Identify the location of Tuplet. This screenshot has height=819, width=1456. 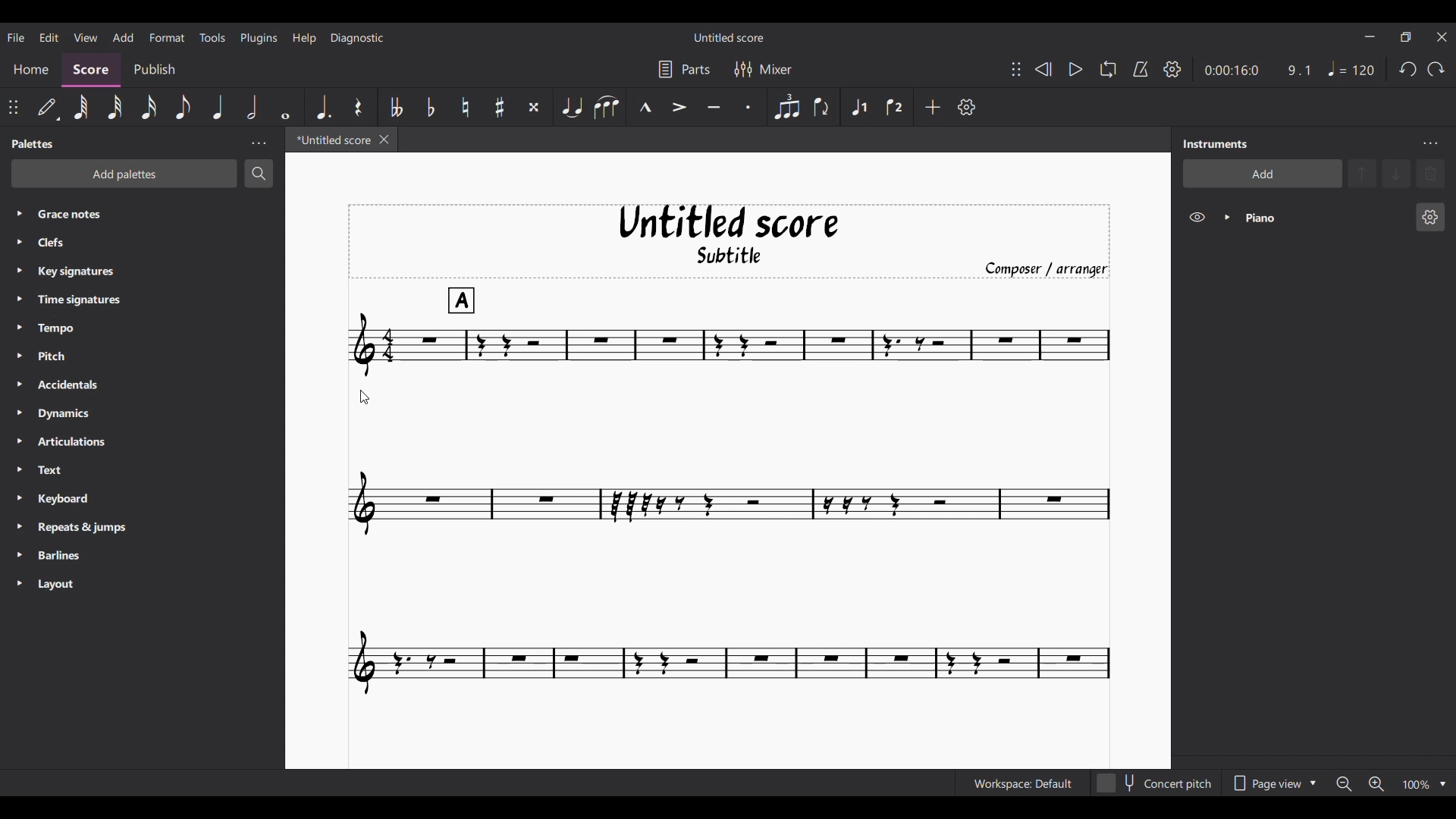
(787, 108).